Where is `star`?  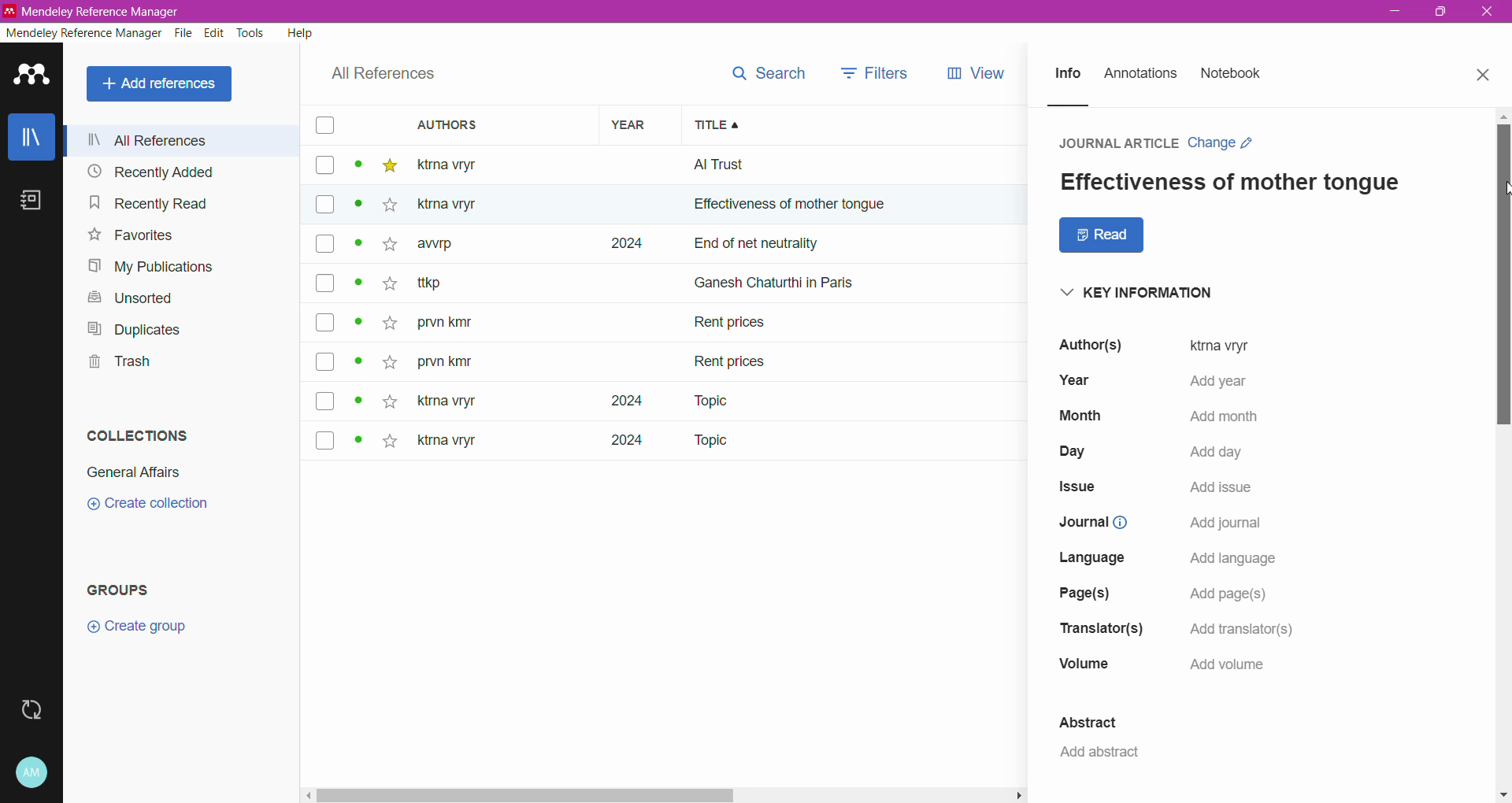
star is located at coordinates (384, 250).